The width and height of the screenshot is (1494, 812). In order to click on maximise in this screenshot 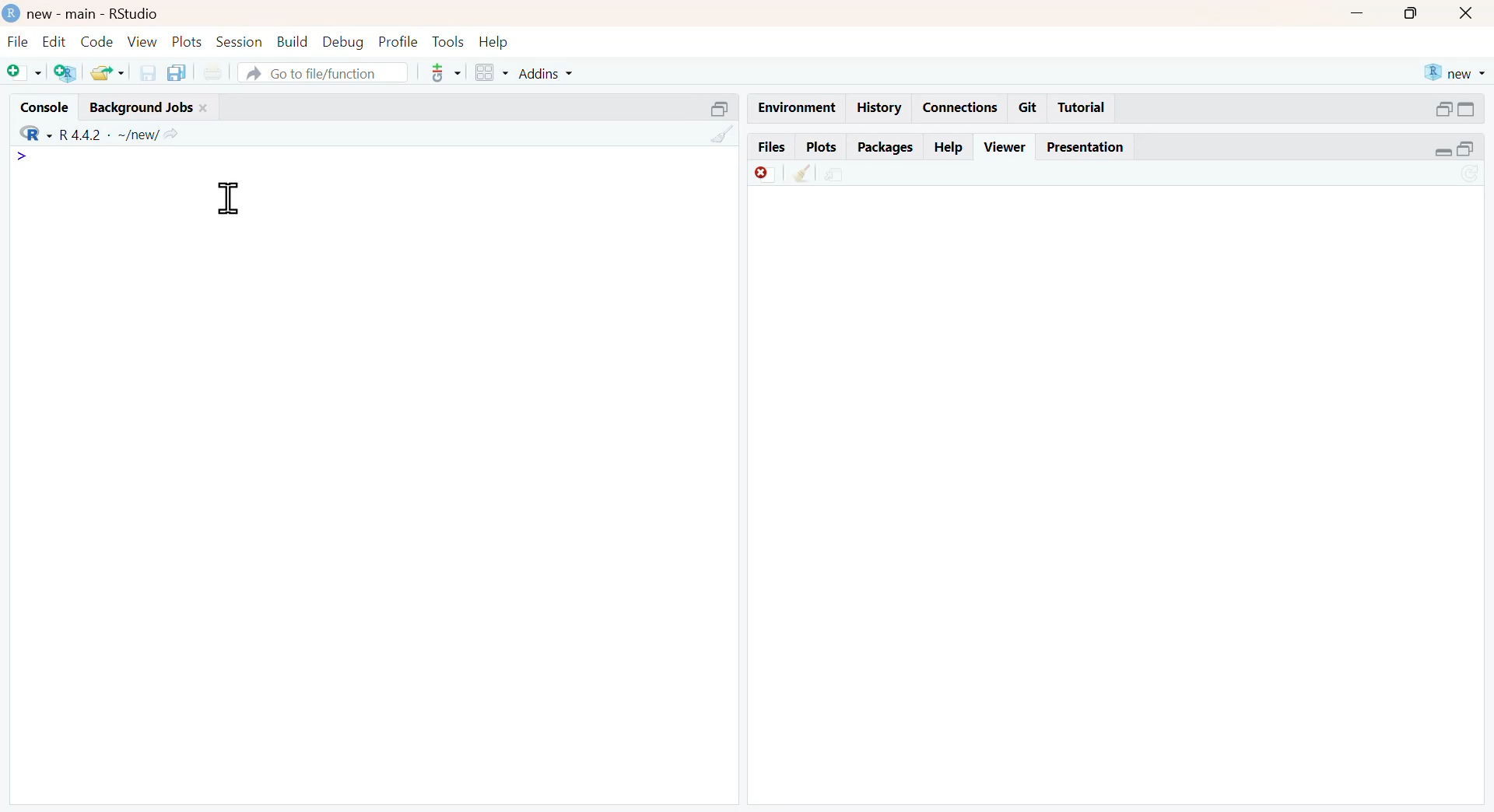, I will do `click(1409, 13)`.